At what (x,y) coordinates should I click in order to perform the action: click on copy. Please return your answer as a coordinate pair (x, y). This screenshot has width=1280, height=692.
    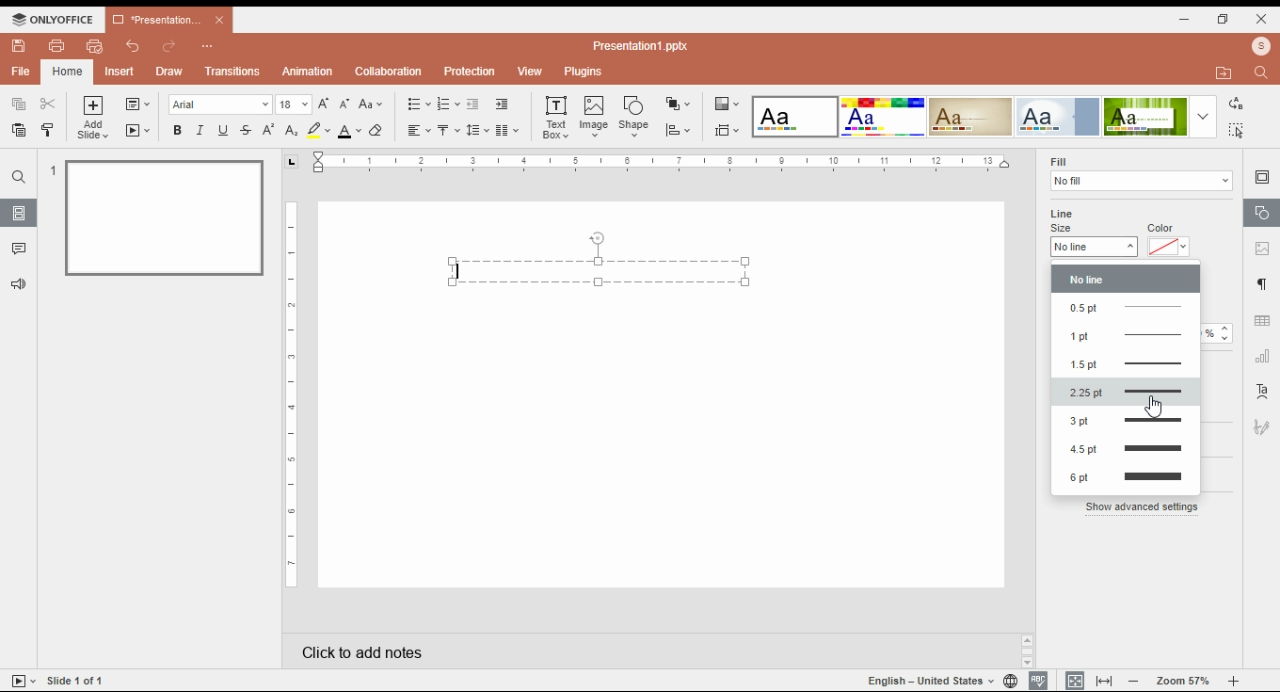
    Looking at the image, I should click on (20, 104).